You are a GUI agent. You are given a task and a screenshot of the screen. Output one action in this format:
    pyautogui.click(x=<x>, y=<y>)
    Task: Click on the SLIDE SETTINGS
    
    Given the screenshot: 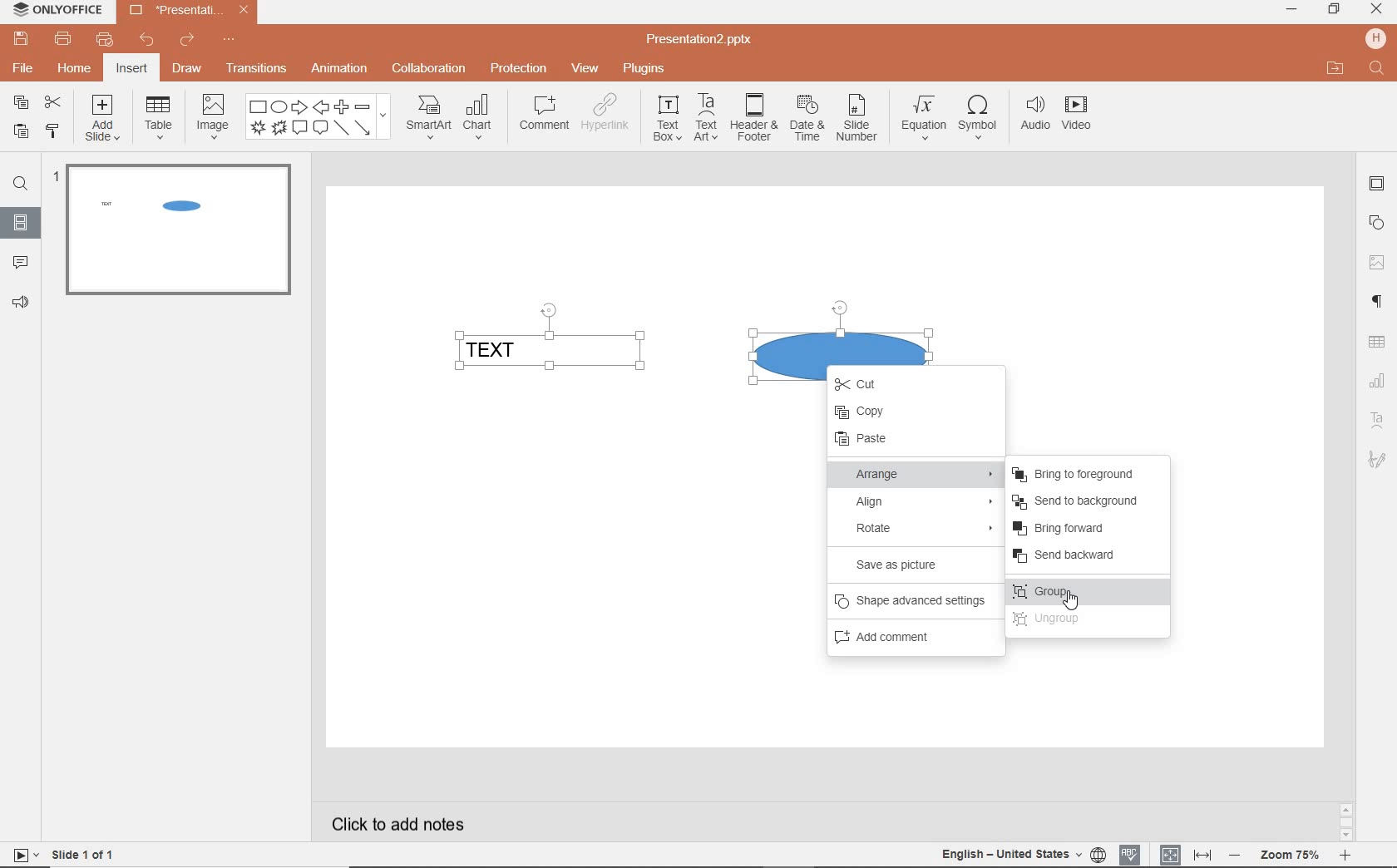 What is the action you would take?
    pyautogui.click(x=1377, y=185)
    